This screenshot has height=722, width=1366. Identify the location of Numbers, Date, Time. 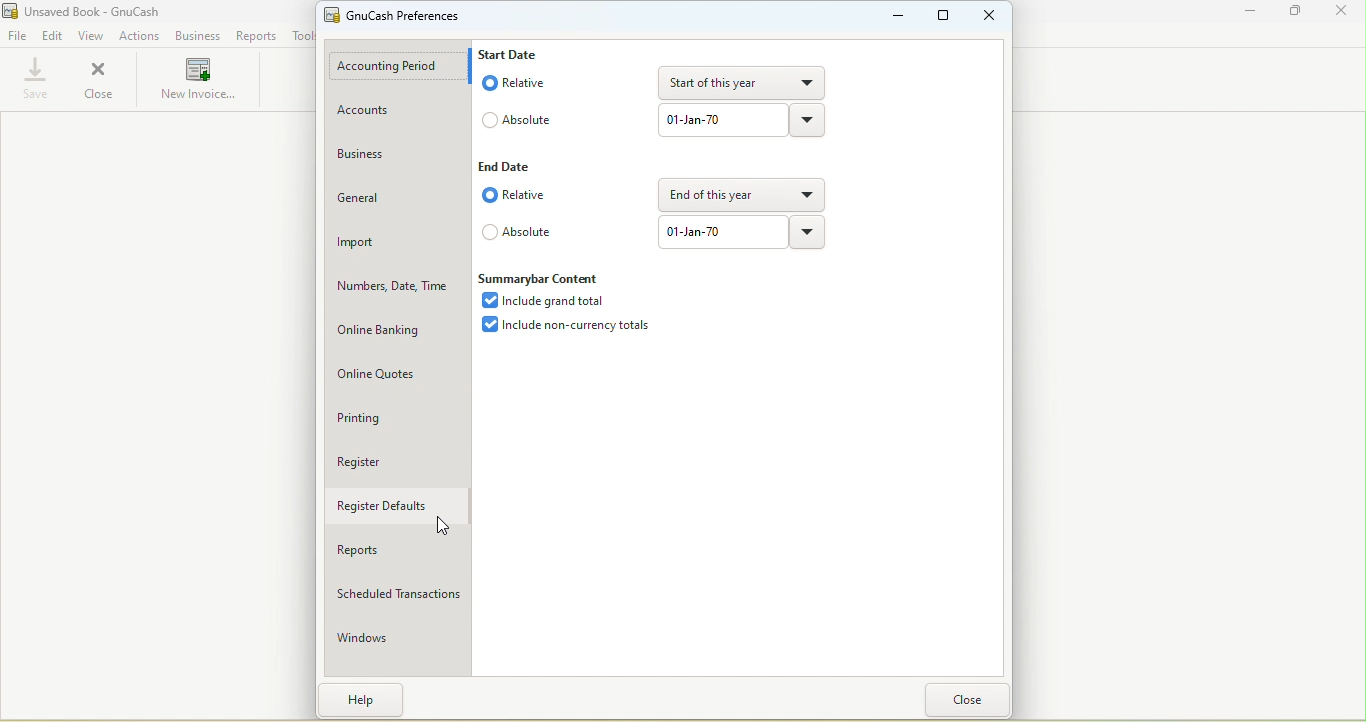
(395, 290).